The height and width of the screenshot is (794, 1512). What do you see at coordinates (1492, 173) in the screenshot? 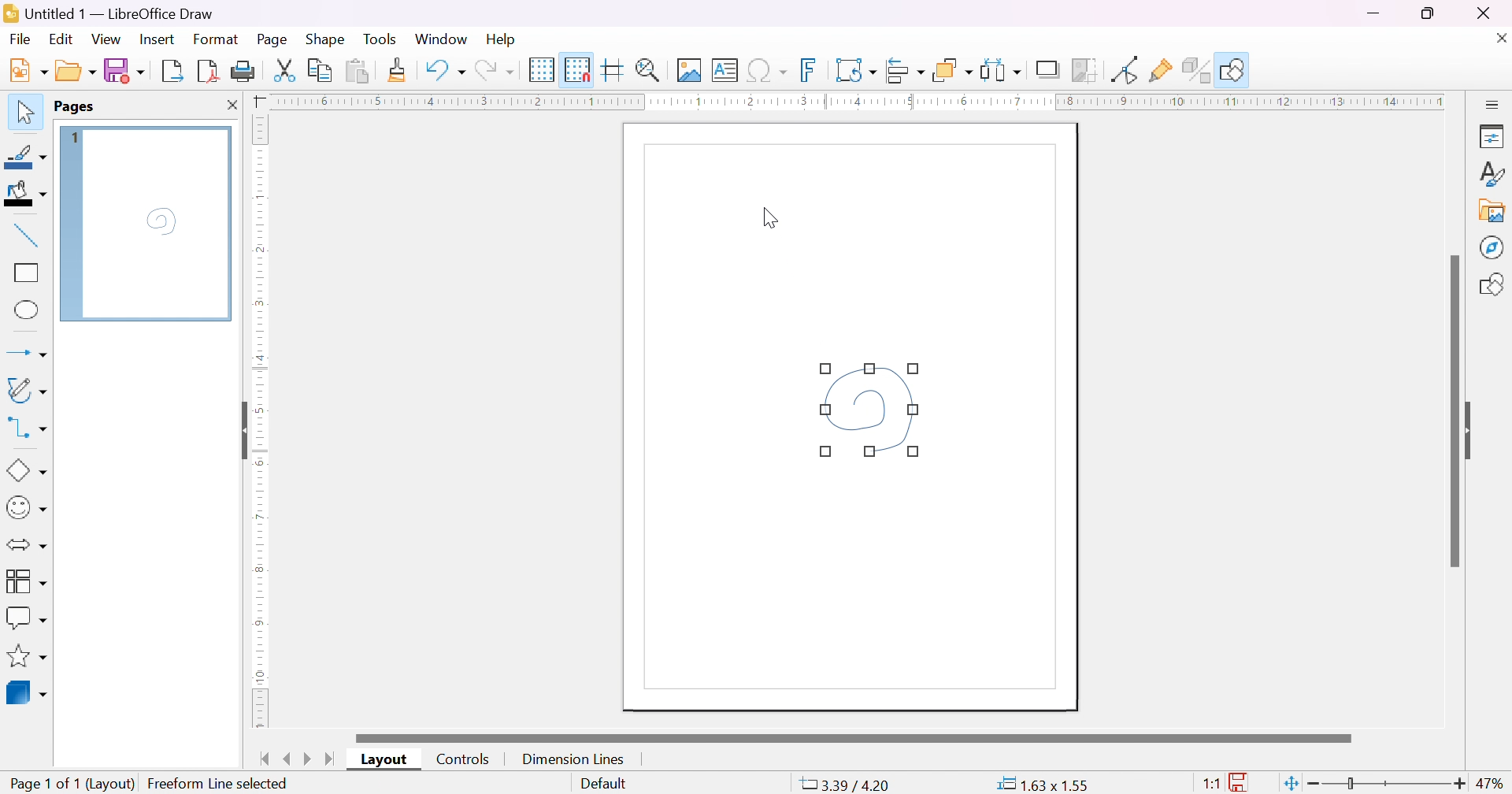
I see `styles` at bounding box center [1492, 173].